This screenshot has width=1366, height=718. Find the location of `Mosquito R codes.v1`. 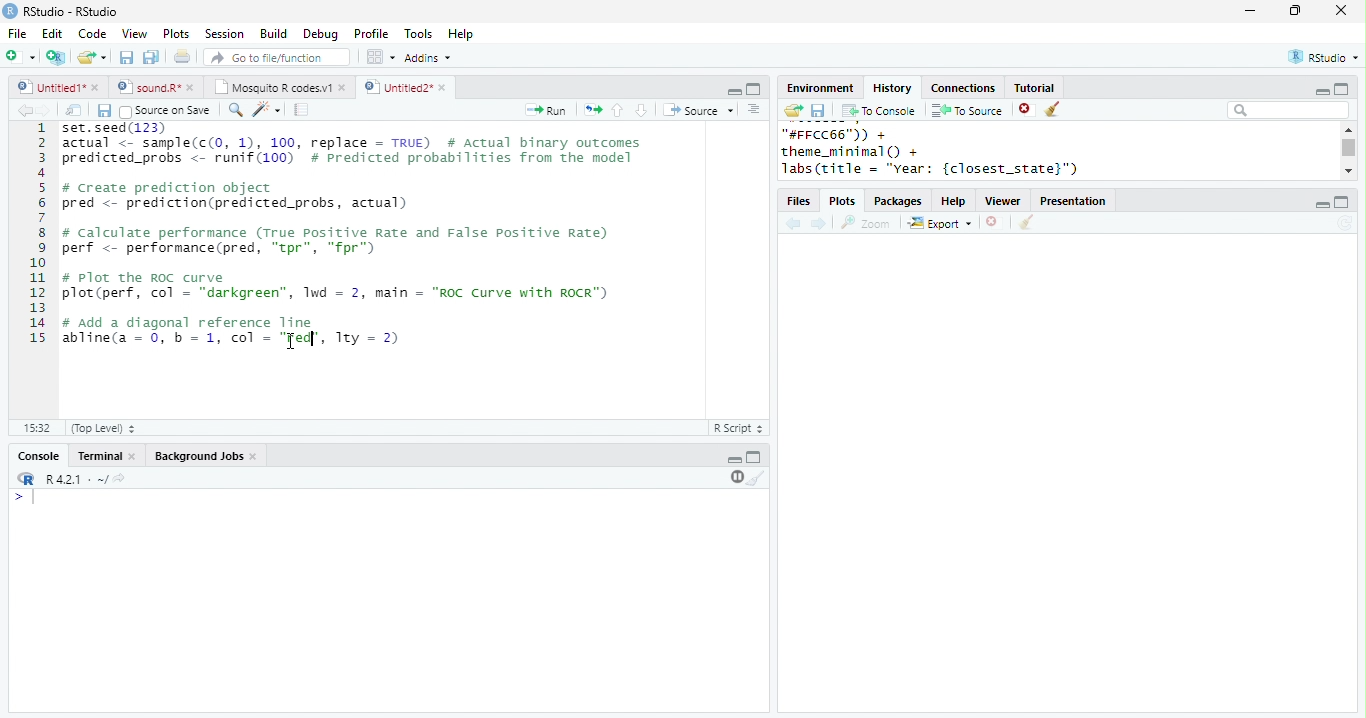

Mosquito R codes.v1 is located at coordinates (273, 87).